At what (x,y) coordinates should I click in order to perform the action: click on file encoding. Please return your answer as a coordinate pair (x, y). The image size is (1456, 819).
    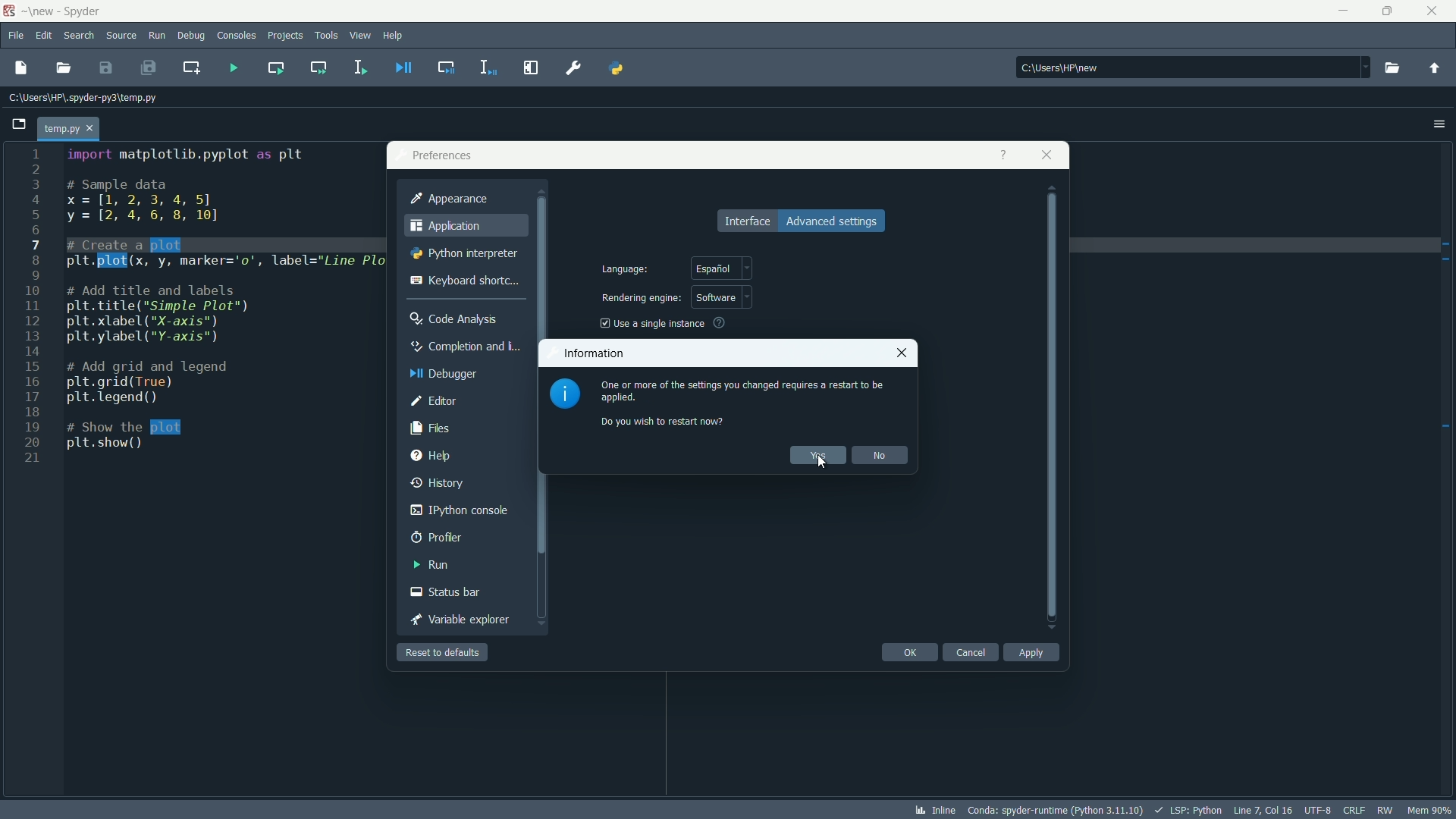
    Looking at the image, I should click on (1317, 811).